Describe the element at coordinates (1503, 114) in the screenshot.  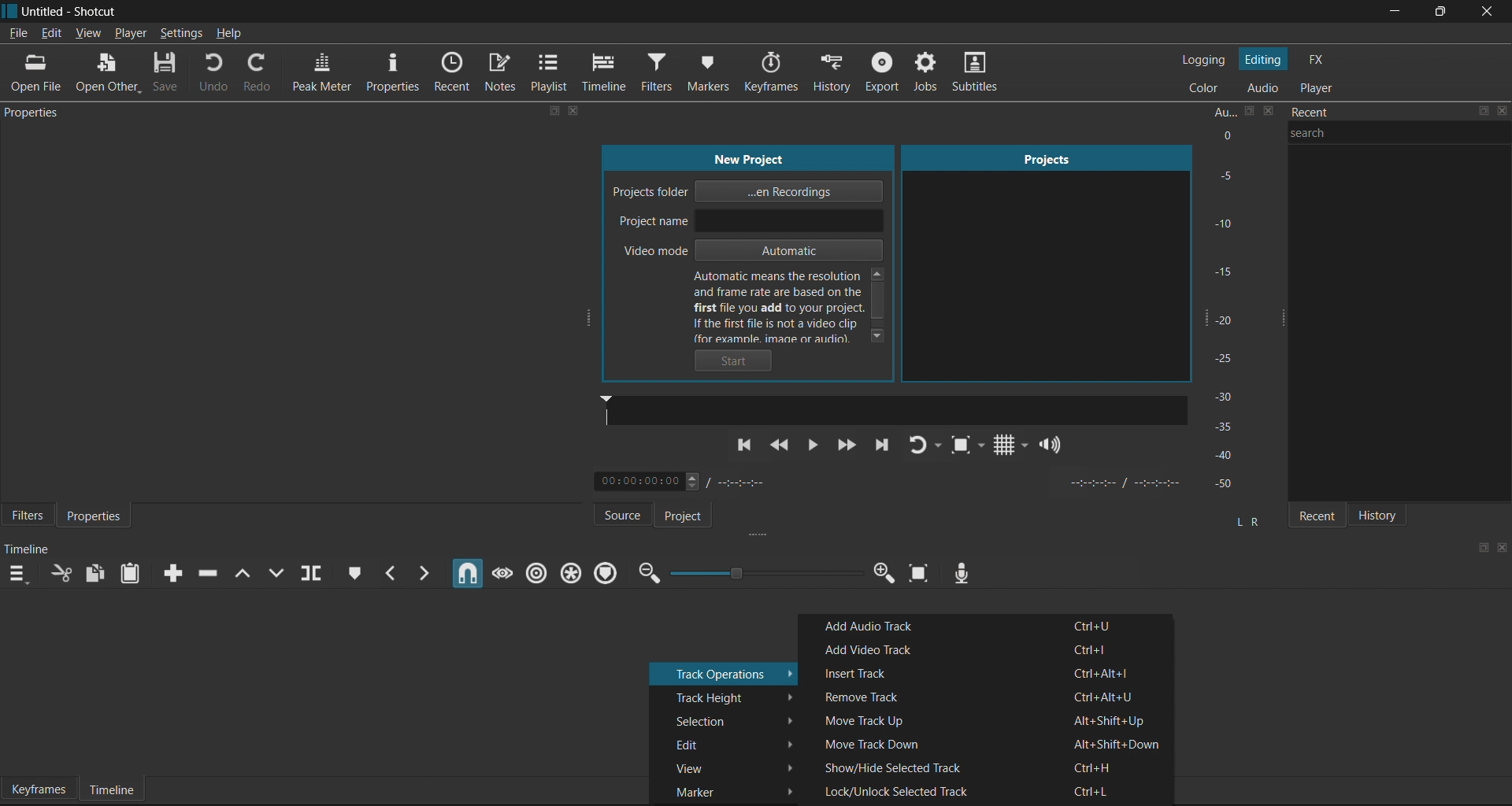
I see `close` at that location.